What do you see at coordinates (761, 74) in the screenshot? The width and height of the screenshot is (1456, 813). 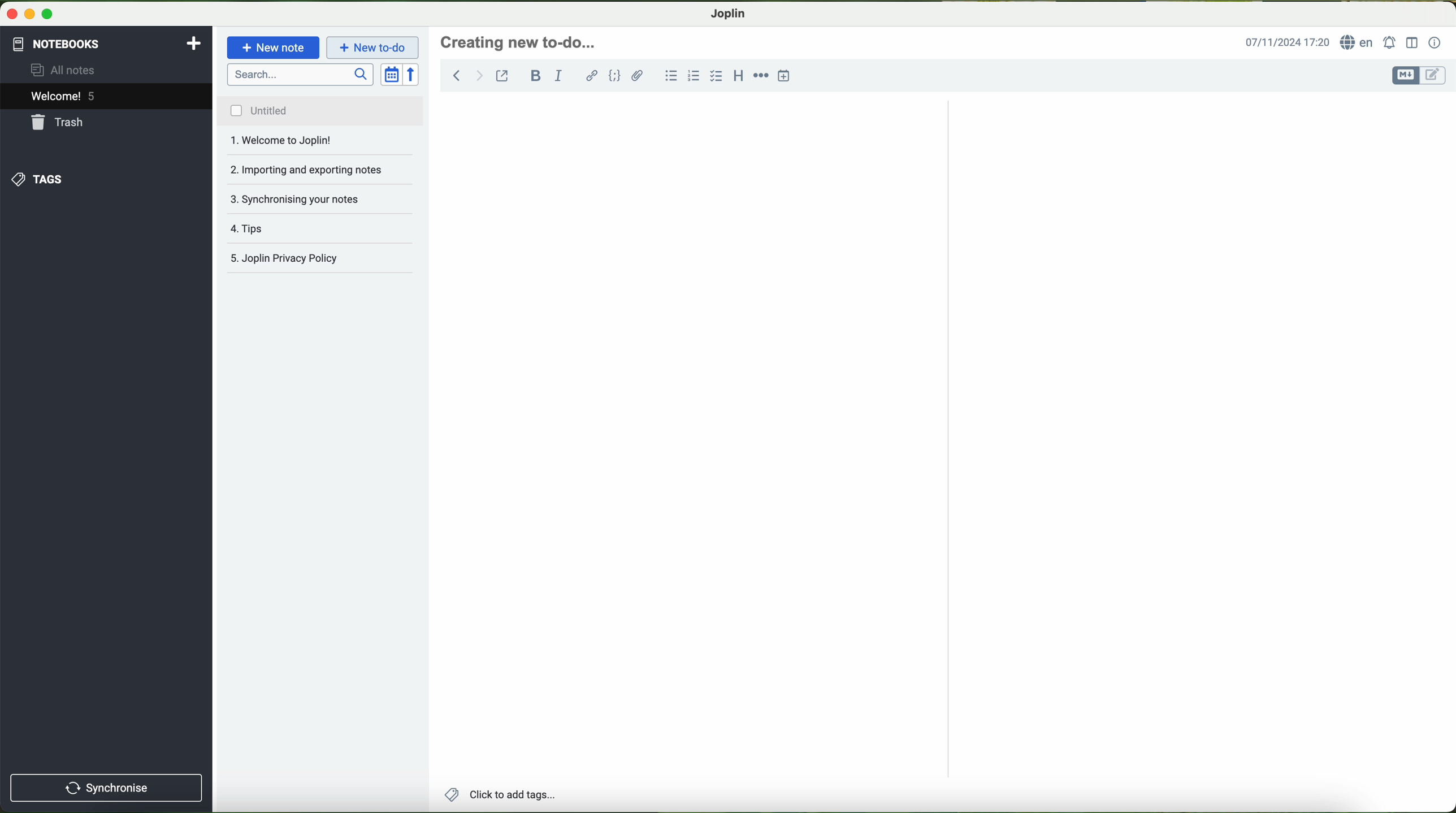 I see `horizontal rule` at bounding box center [761, 74].